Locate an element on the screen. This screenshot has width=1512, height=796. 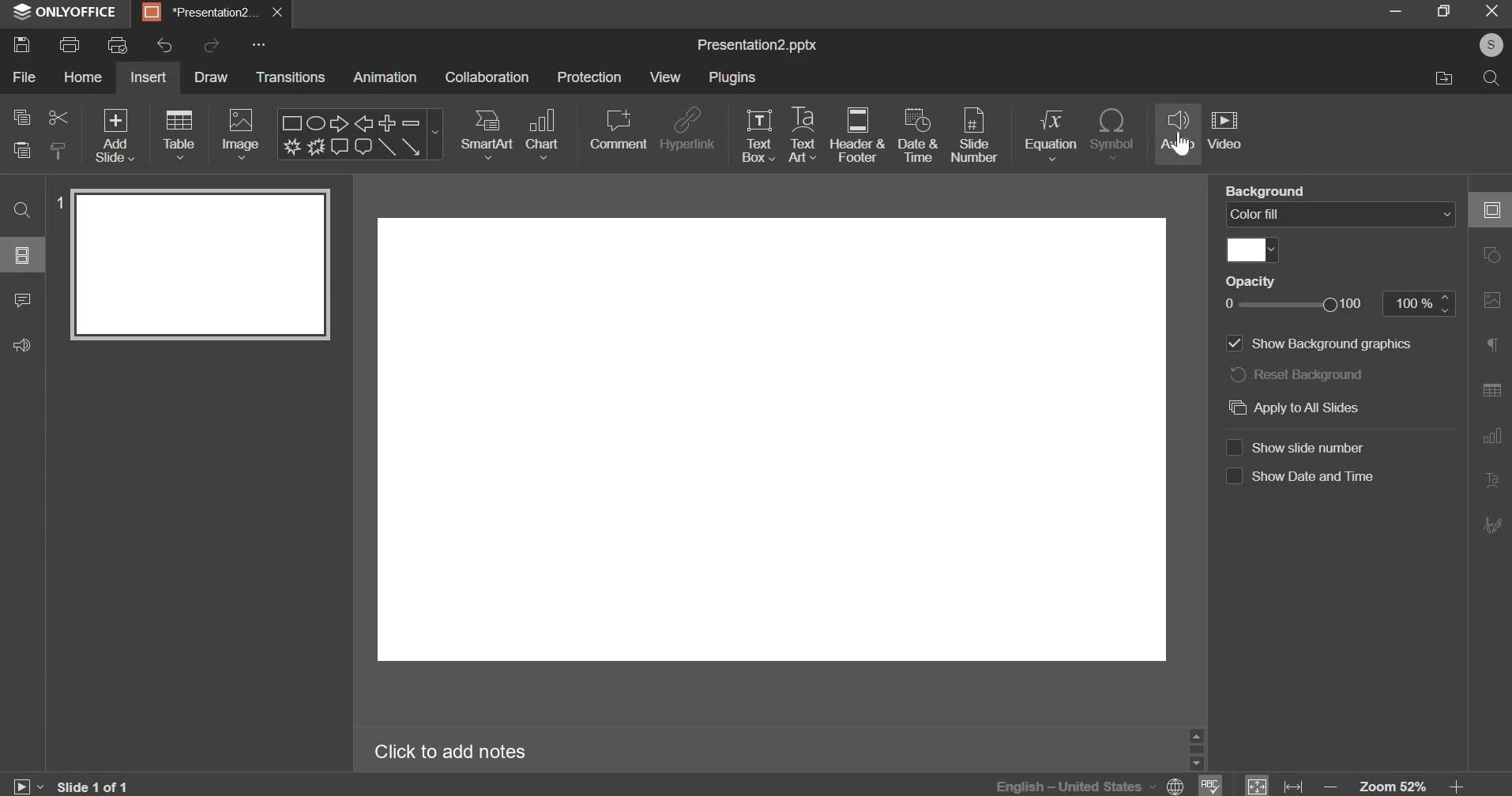
slide number is located at coordinates (976, 133).